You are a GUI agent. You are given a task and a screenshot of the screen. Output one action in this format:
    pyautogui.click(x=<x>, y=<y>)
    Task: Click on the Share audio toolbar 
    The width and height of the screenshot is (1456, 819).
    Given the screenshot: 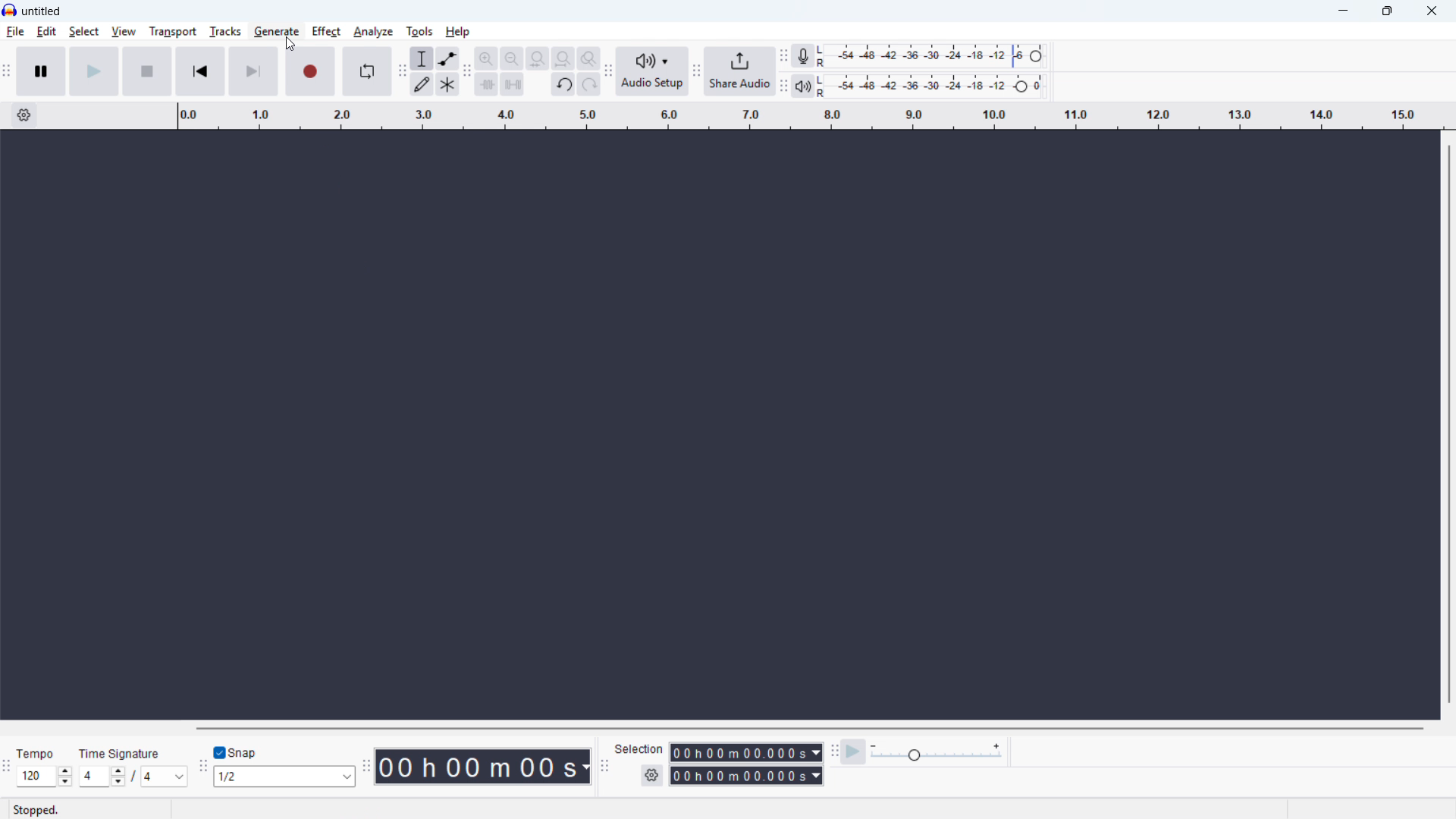 What is the action you would take?
    pyautogui.click(x=697, y=71)
    